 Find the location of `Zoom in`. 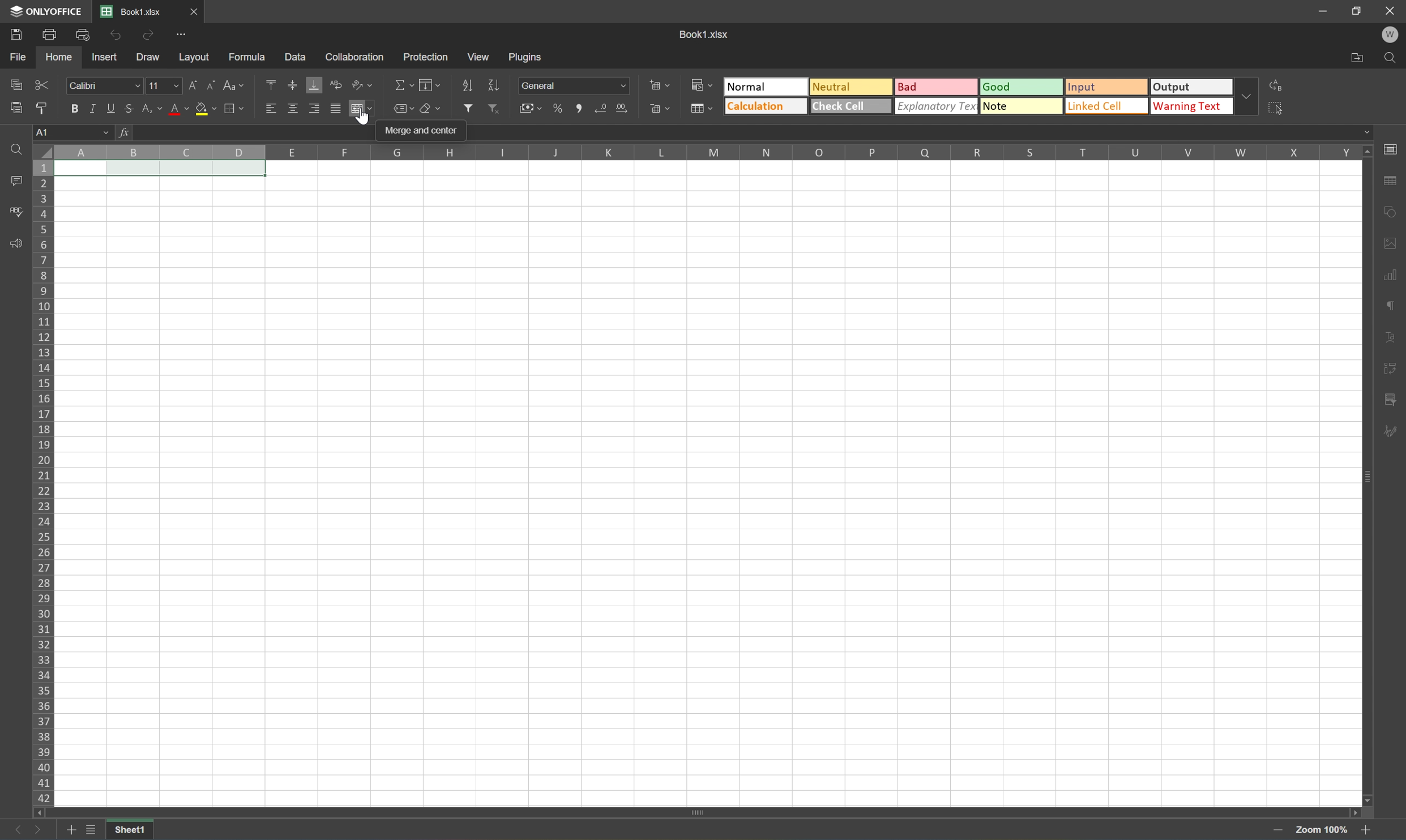

Zoom in is located at coordinates (1280, 830).